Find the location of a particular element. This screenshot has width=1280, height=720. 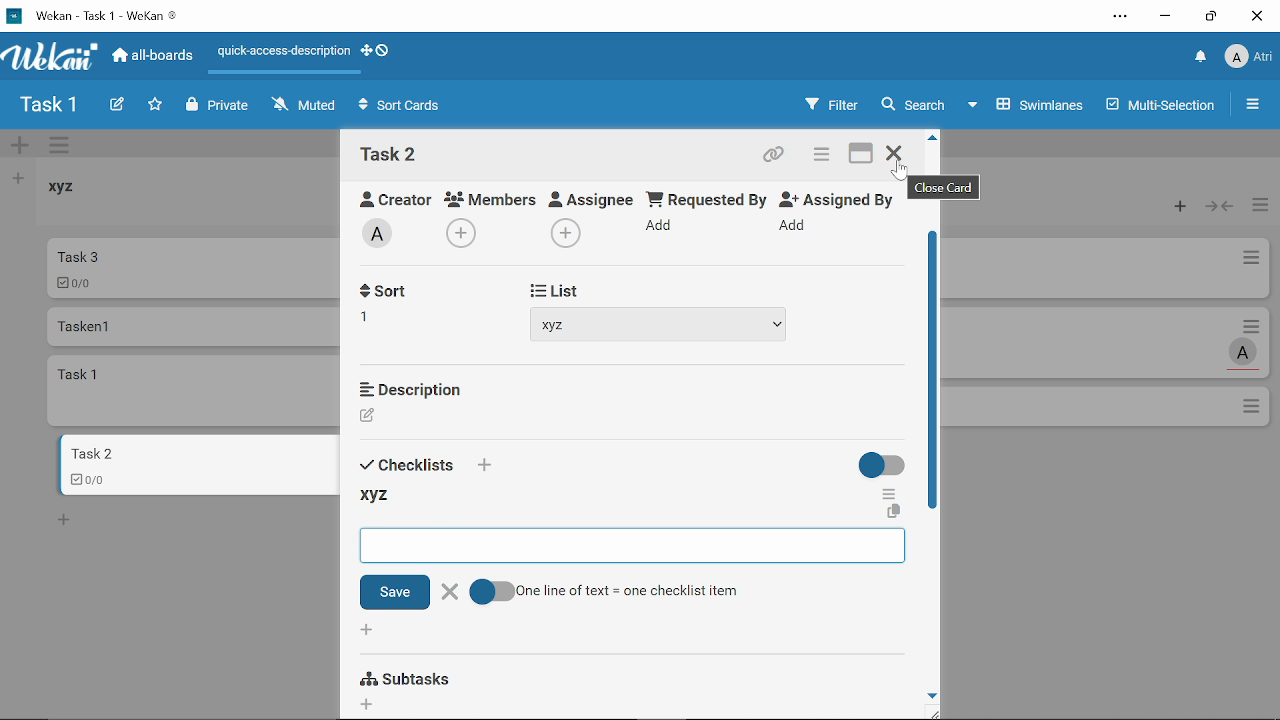

Received is located at coordinates (405, 293).